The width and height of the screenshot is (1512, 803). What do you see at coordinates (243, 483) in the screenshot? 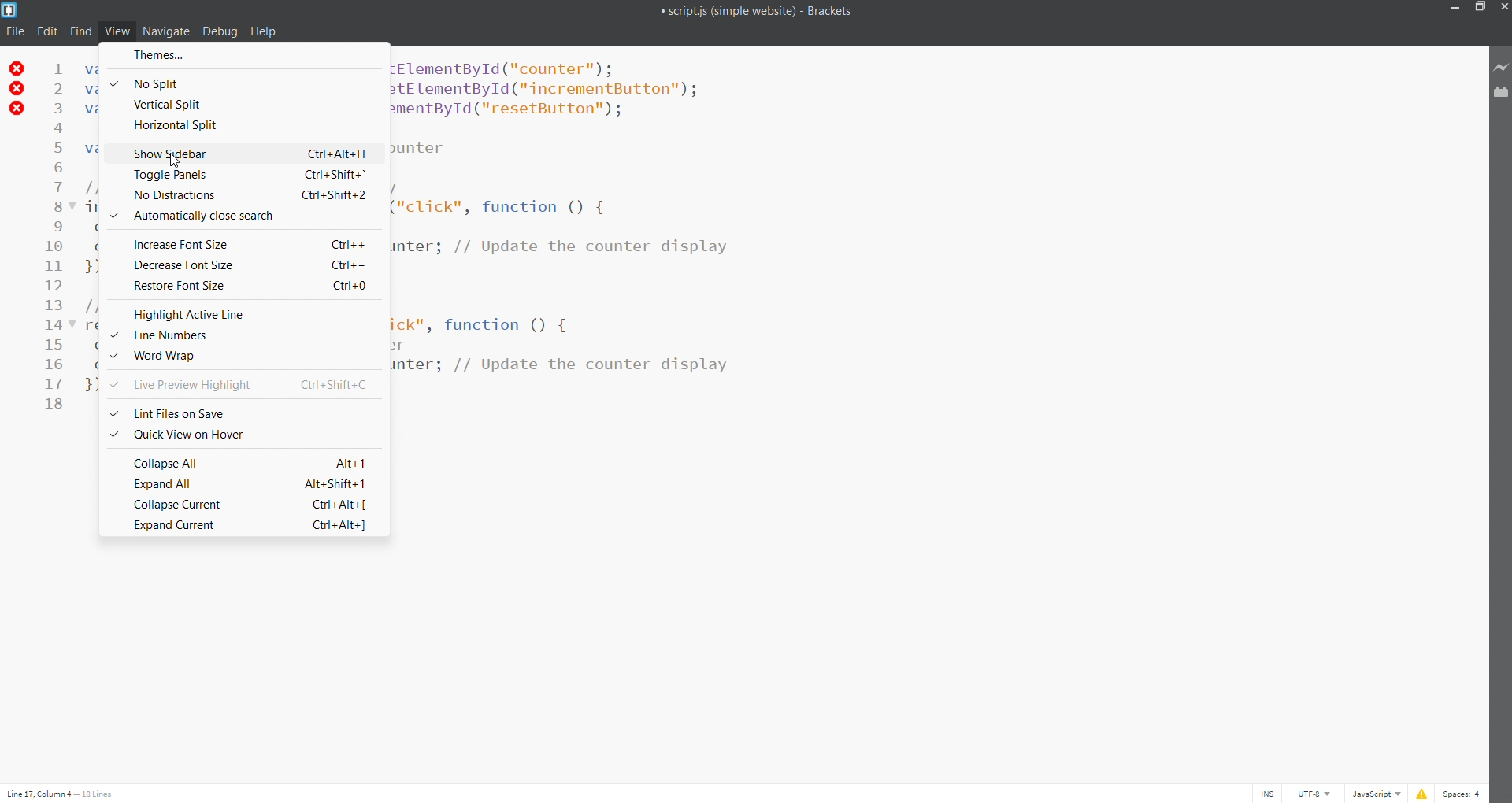
I see `expand all` at bounding box center [243, 483].